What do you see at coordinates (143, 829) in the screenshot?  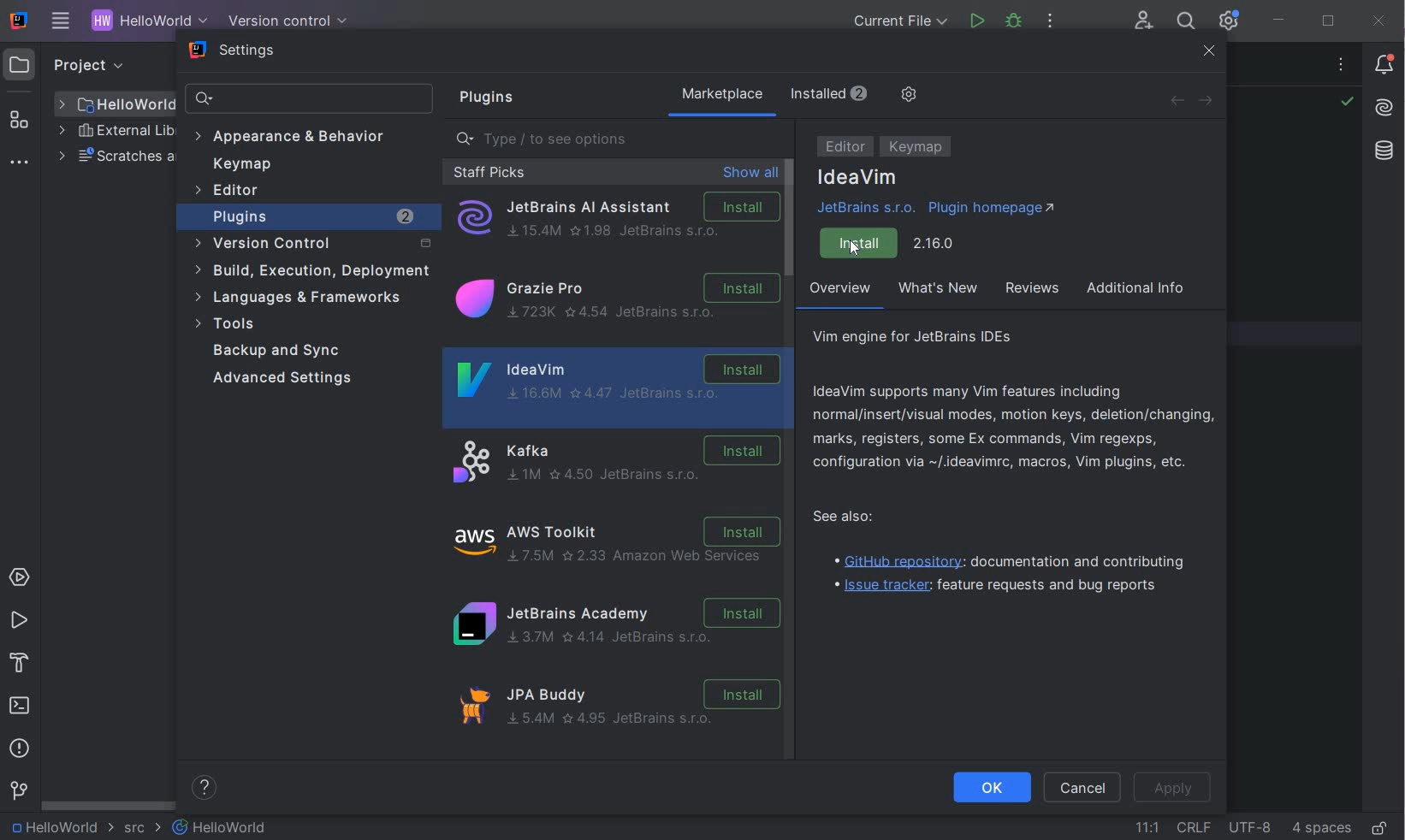 I see `SRC` at bounding box center [143, 829].